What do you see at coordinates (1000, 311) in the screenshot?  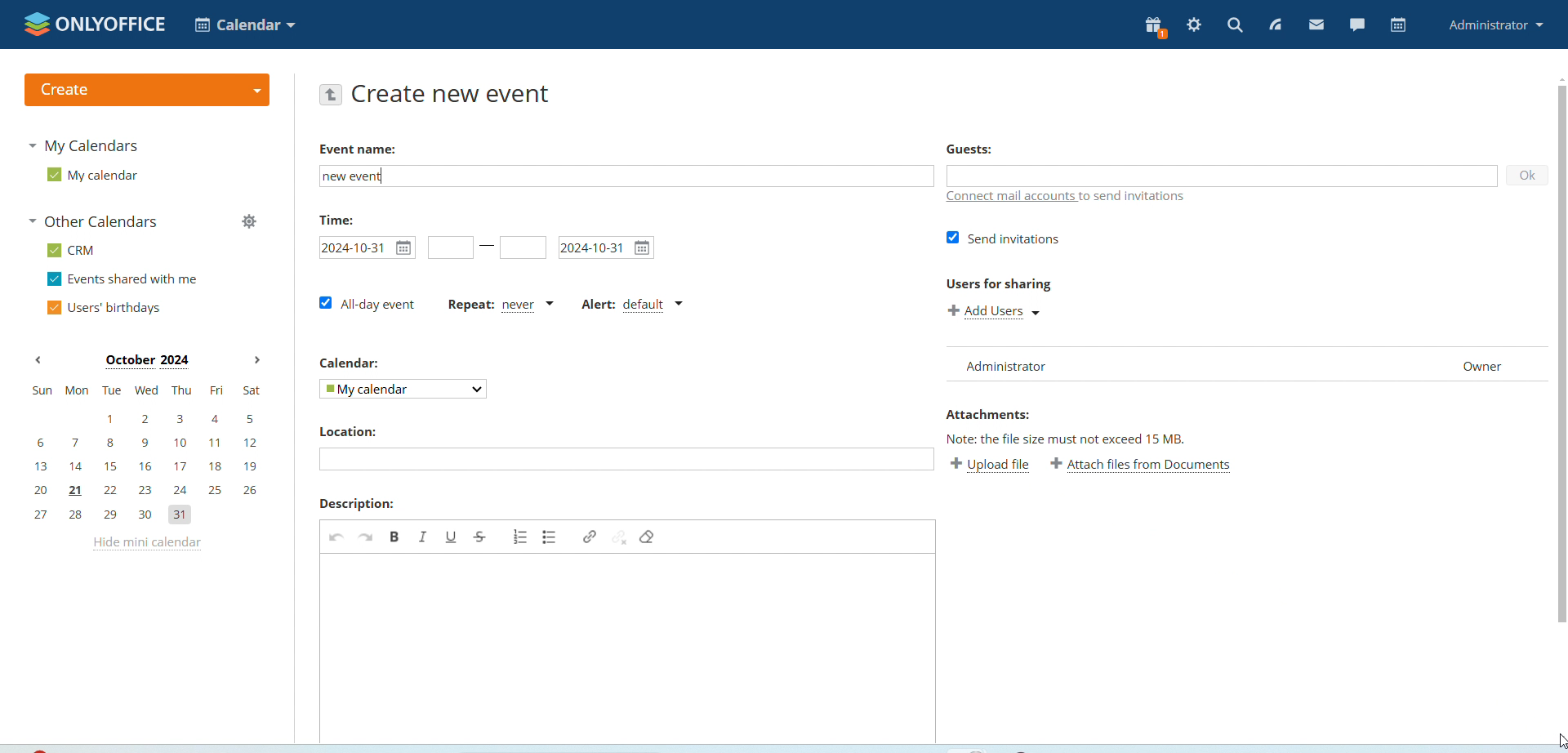 I see `add users` at bounding box center [1000, 311].